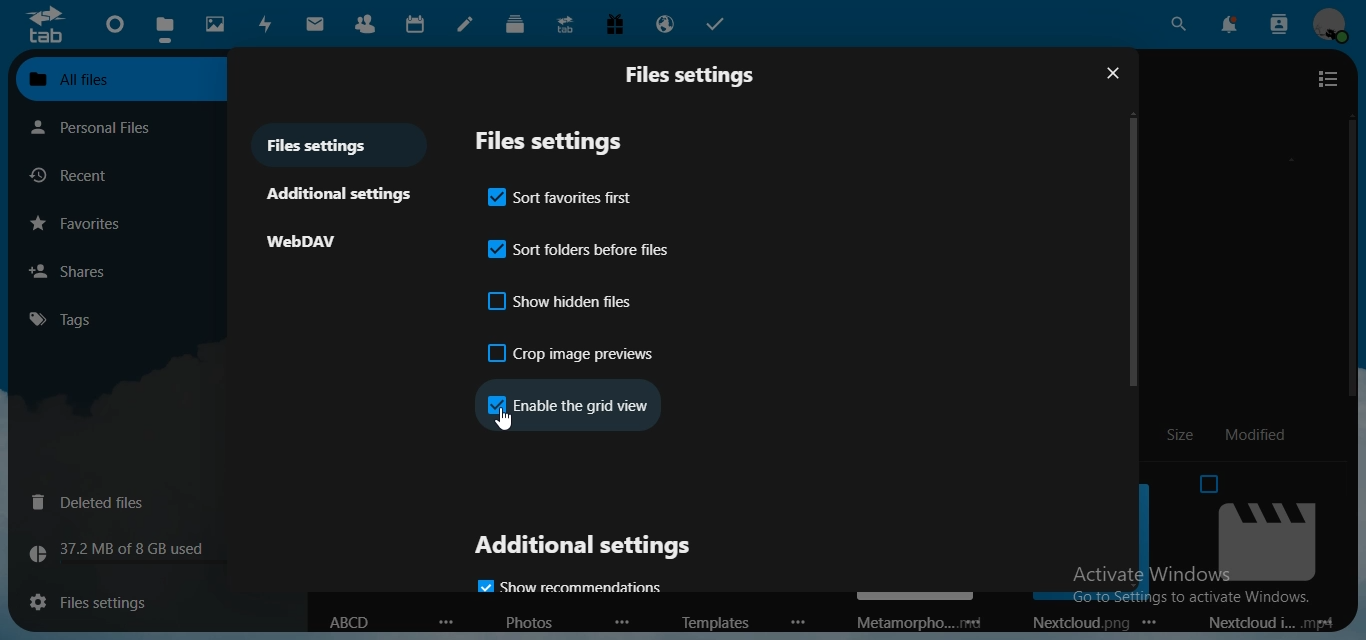 This screenshot has height=640, width=1366. Describe the element at coordinates (516, 26) in the screenshot. I see `deck` at that location.